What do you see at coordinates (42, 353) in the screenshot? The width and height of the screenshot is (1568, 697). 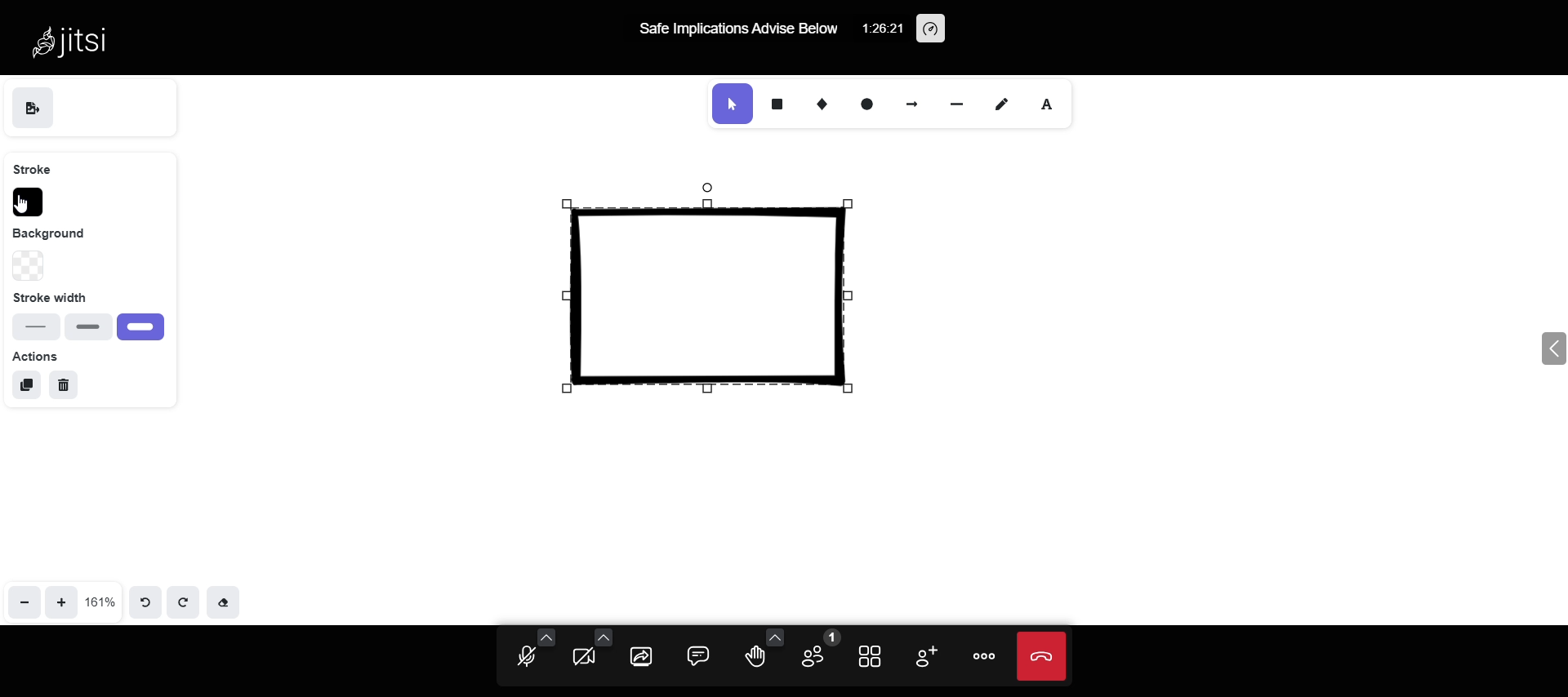 I see `actions` at bounding box center [42, 353].